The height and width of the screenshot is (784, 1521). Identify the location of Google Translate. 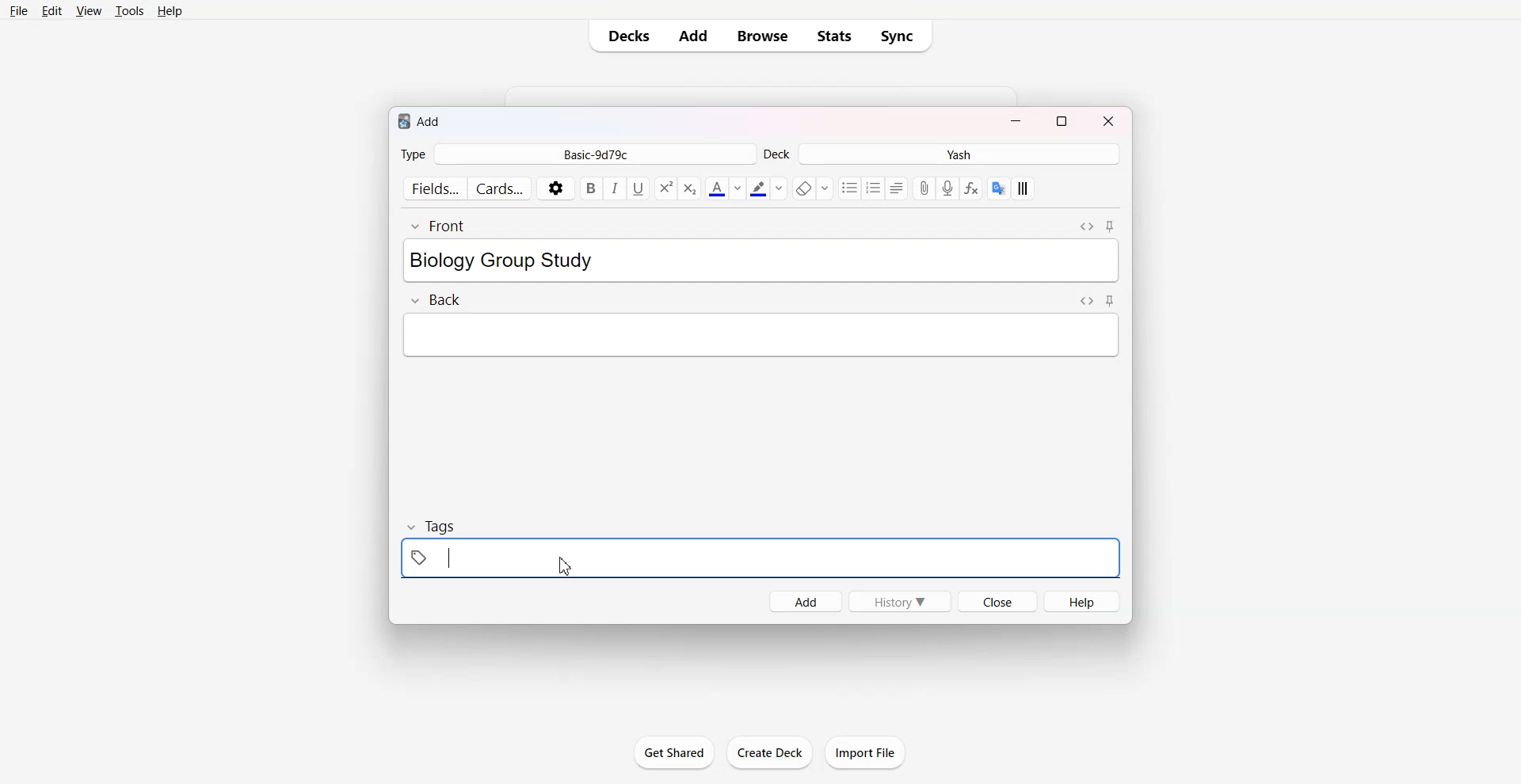
(998, 188).